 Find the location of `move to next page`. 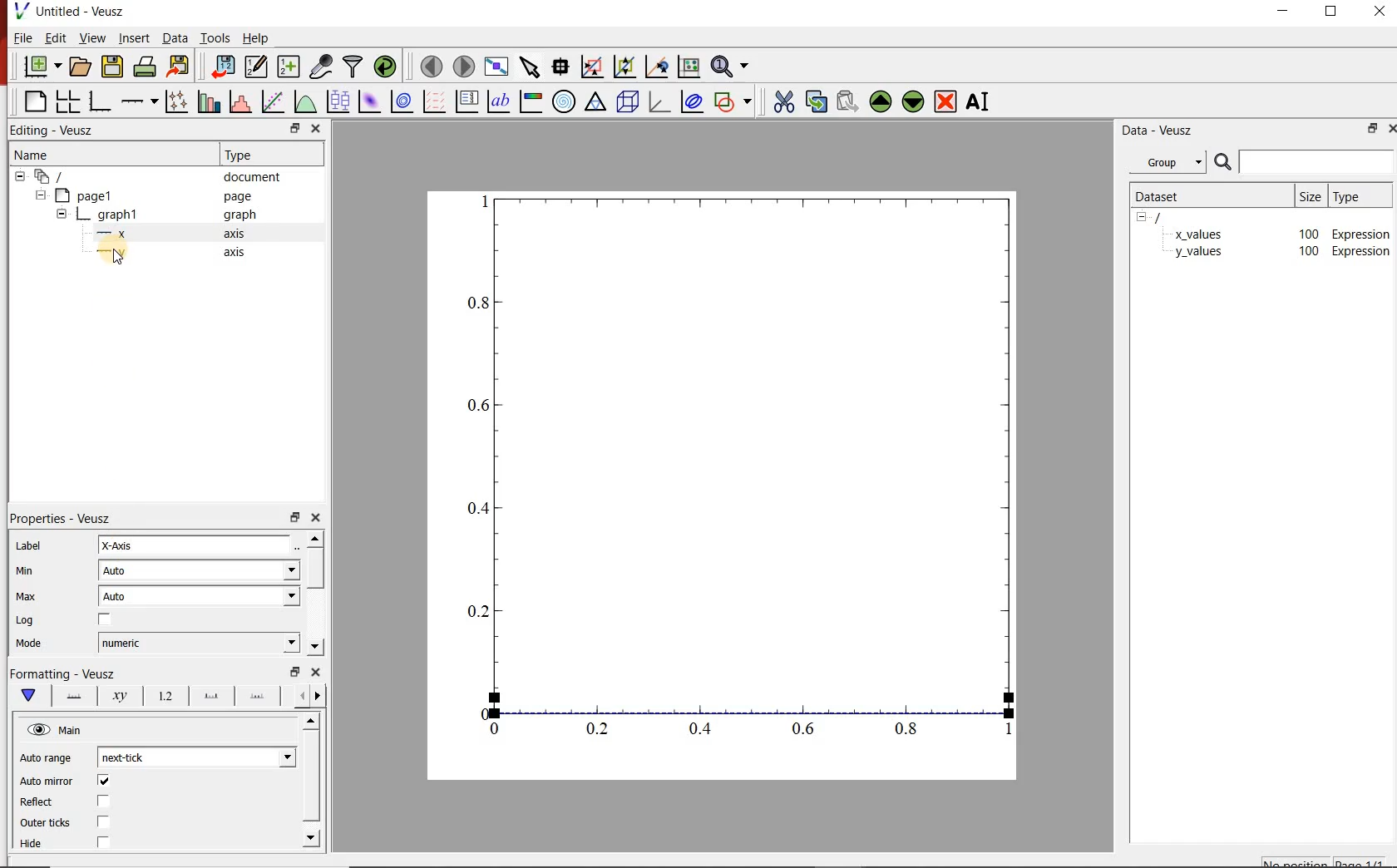

move to next page is located at coordinates (465, 67).